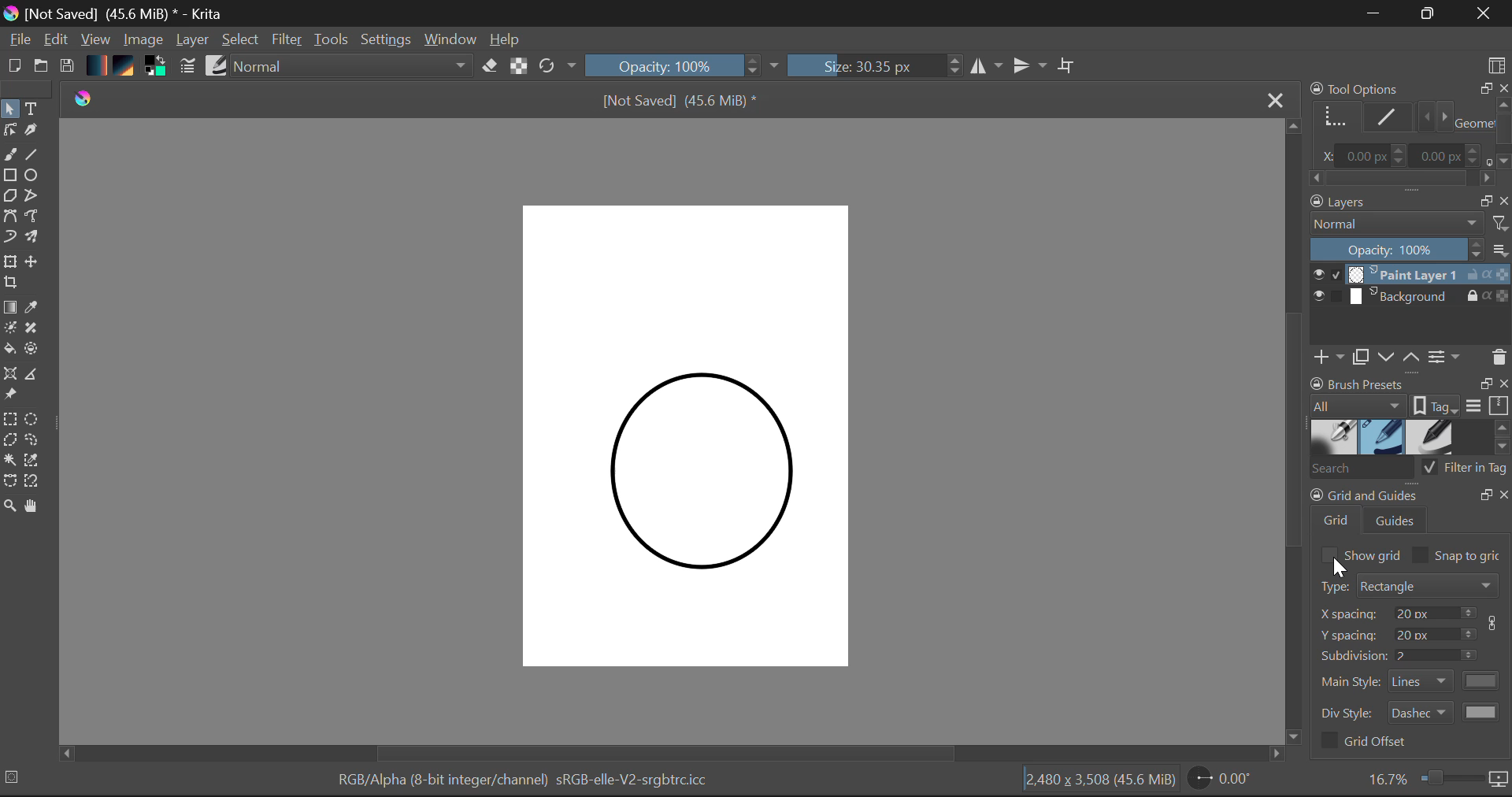 The width and height of the screenshot is (1512, 797). What do you see at coordinates (453, 40) in the screenshot?
I see `Window` at bounding box center [453, 40].